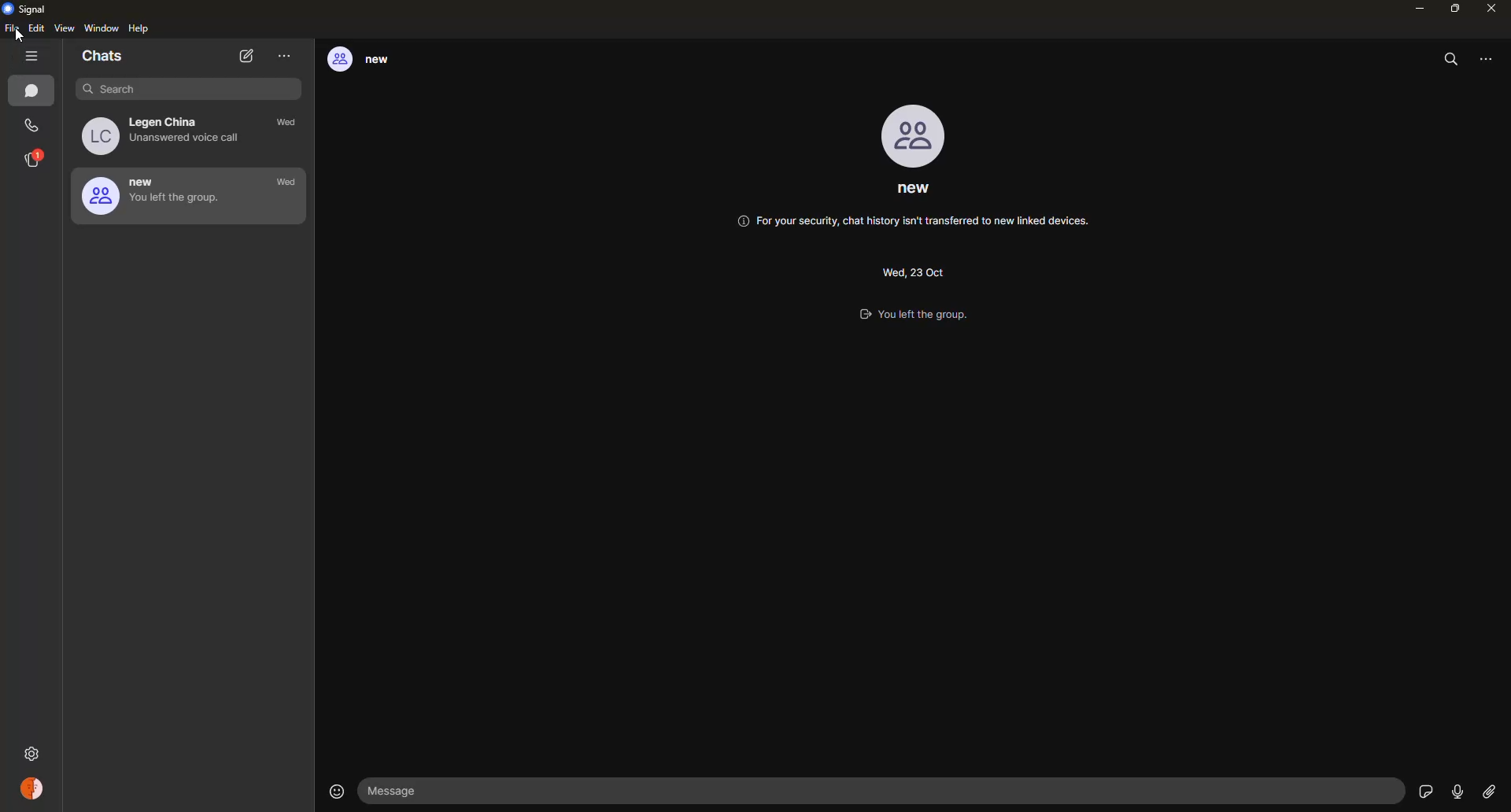 The width and height of the screenshot is (1511, 812). I want to click on profile, so click(916, 136).